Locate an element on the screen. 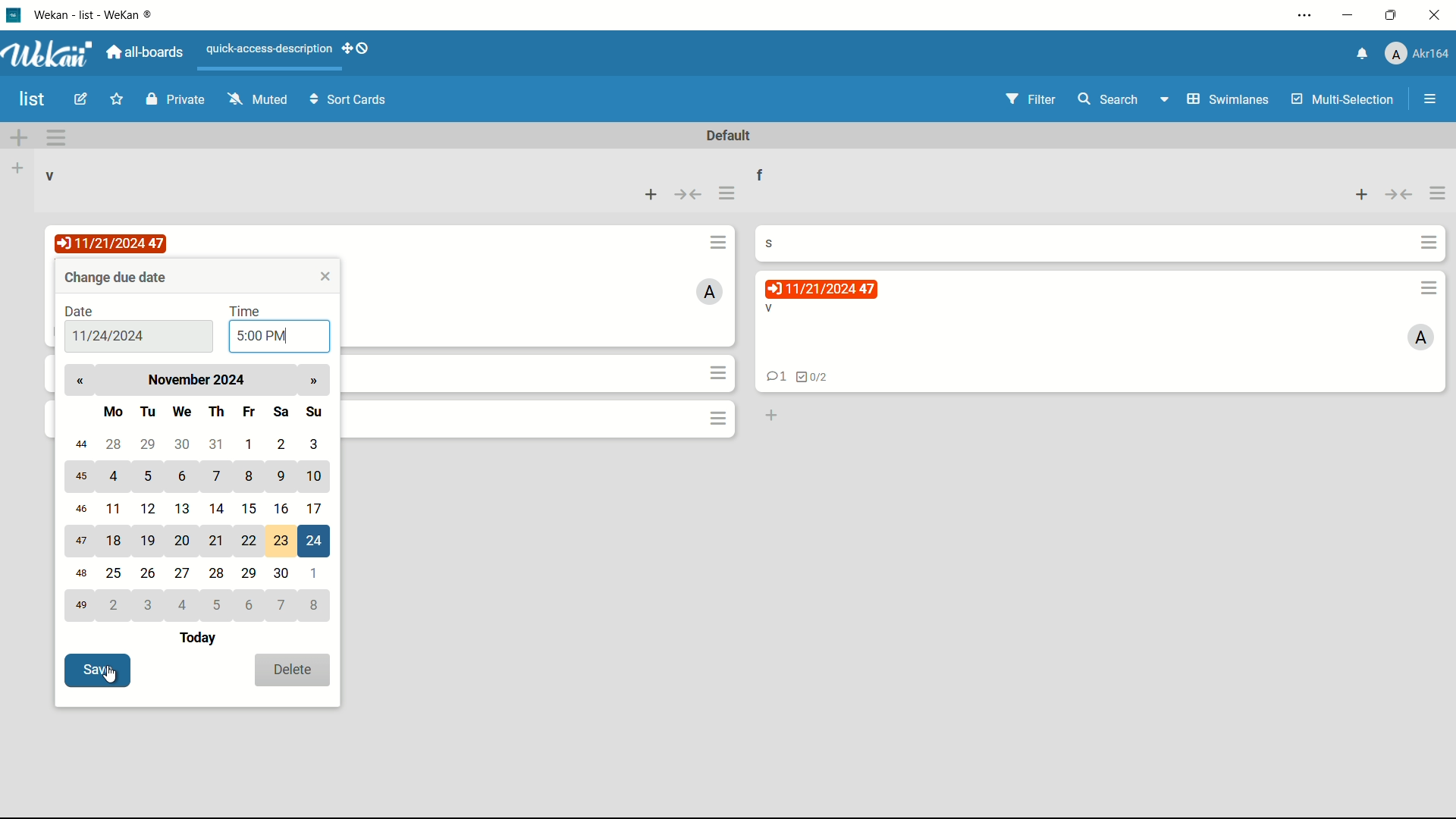  27 is located at coordinates (185, 572).